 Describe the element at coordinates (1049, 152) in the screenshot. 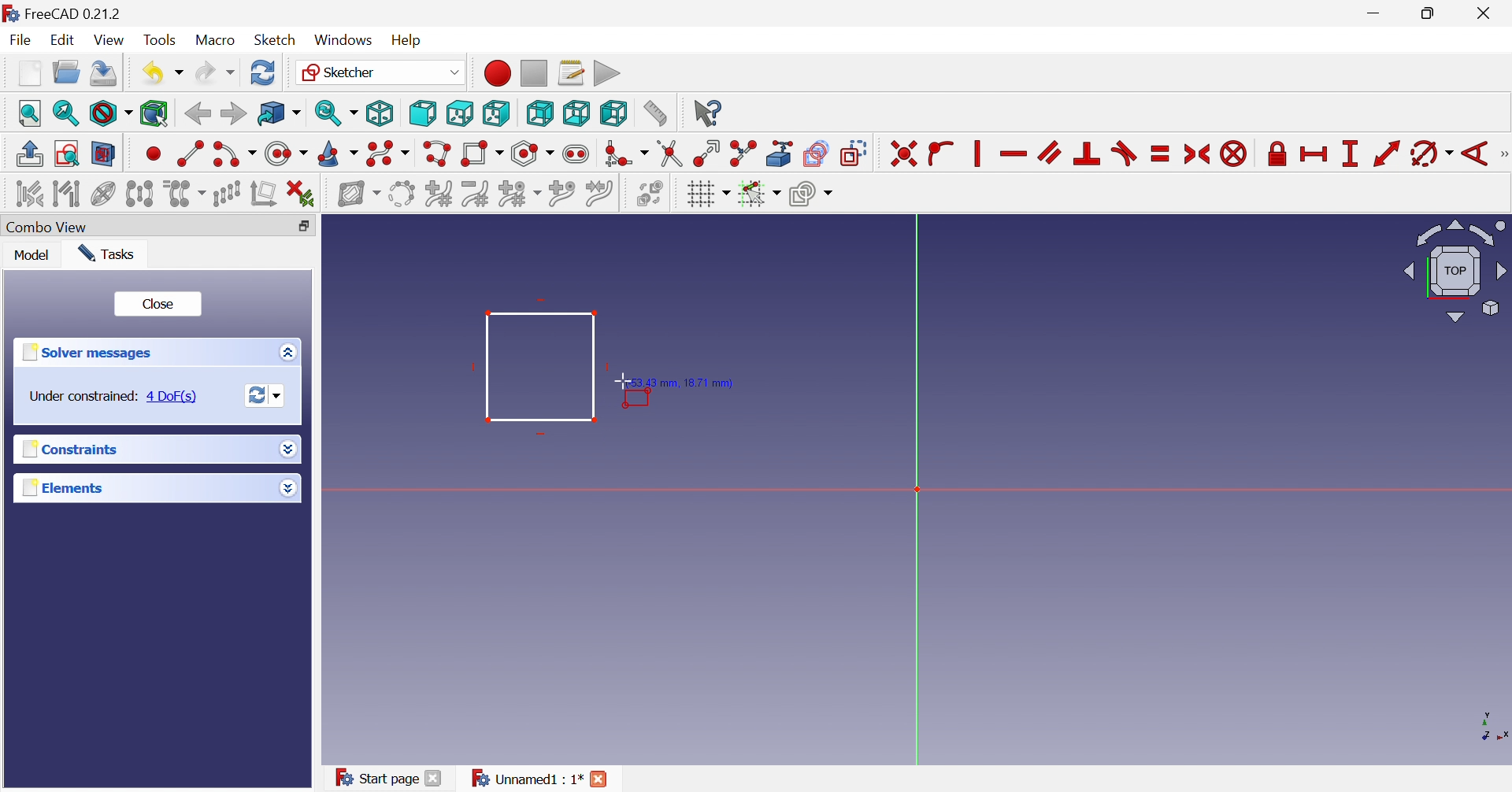

I see `Constrain parallel` at that location.